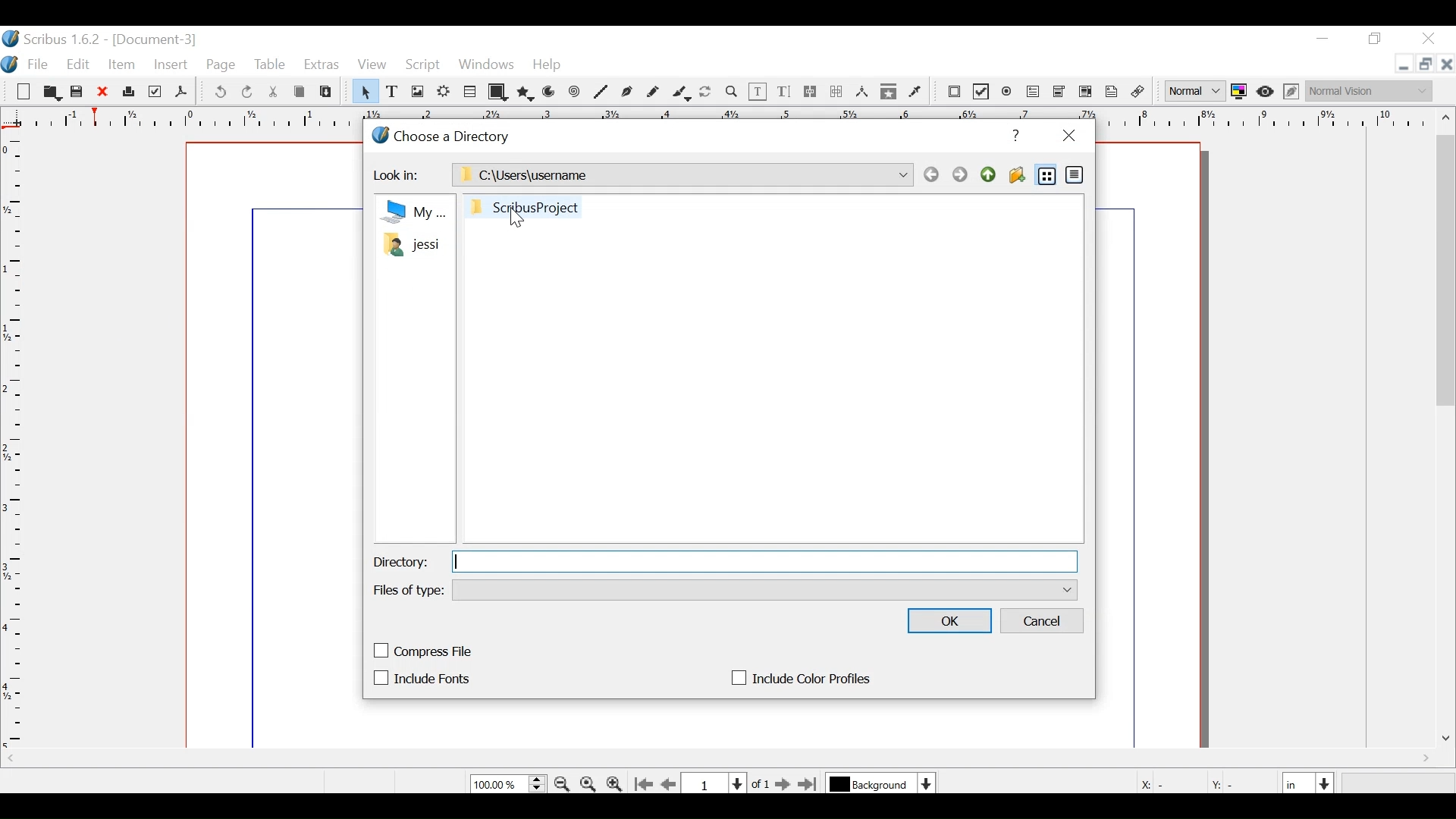  What do you see at coordinates (988, 174) in the screenshot?
I see `Parent Directory` at bounding box center [988, 174].